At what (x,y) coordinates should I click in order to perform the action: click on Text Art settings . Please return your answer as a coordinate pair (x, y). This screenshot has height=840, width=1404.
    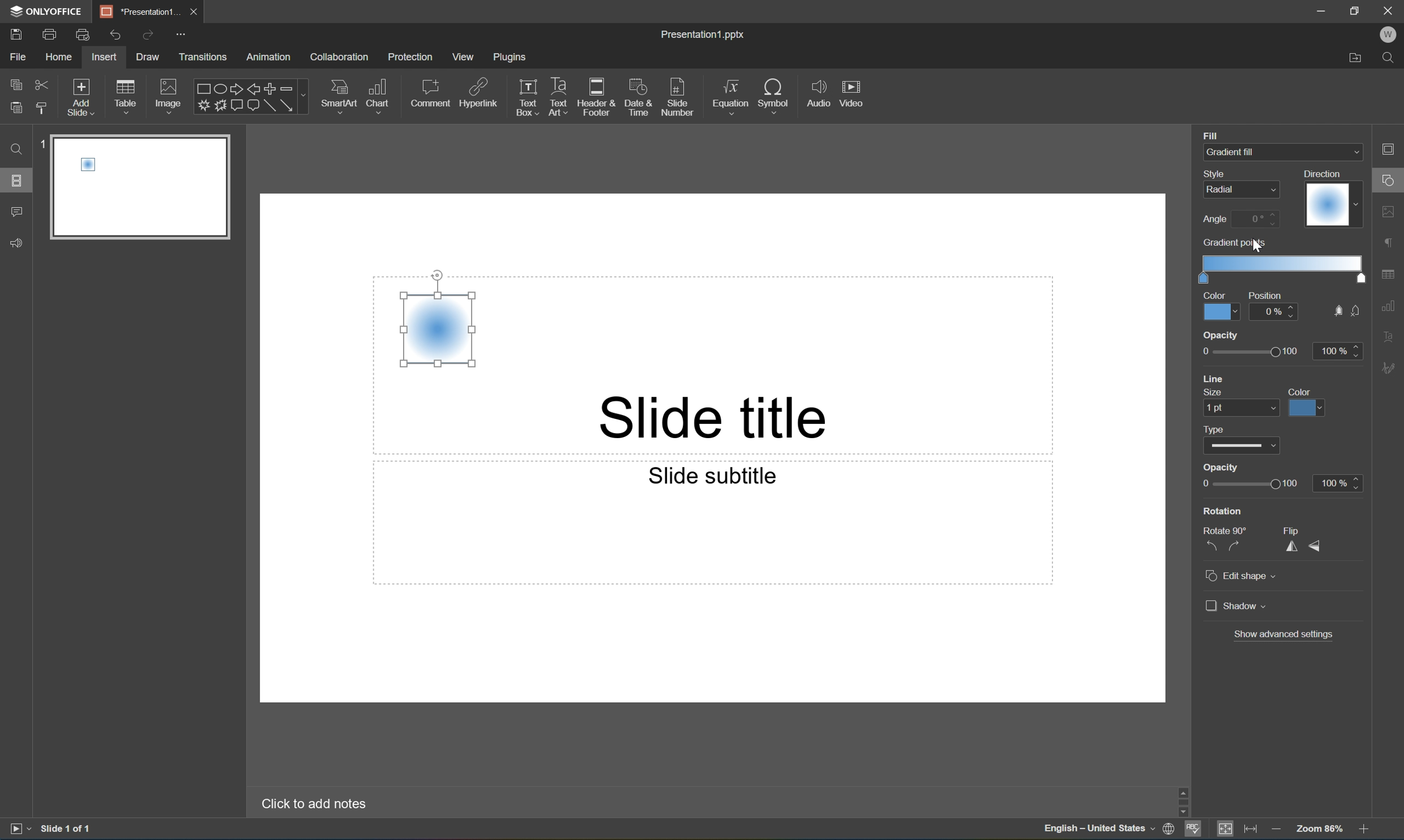
    Looking at the image, I should click on (1392, 335).